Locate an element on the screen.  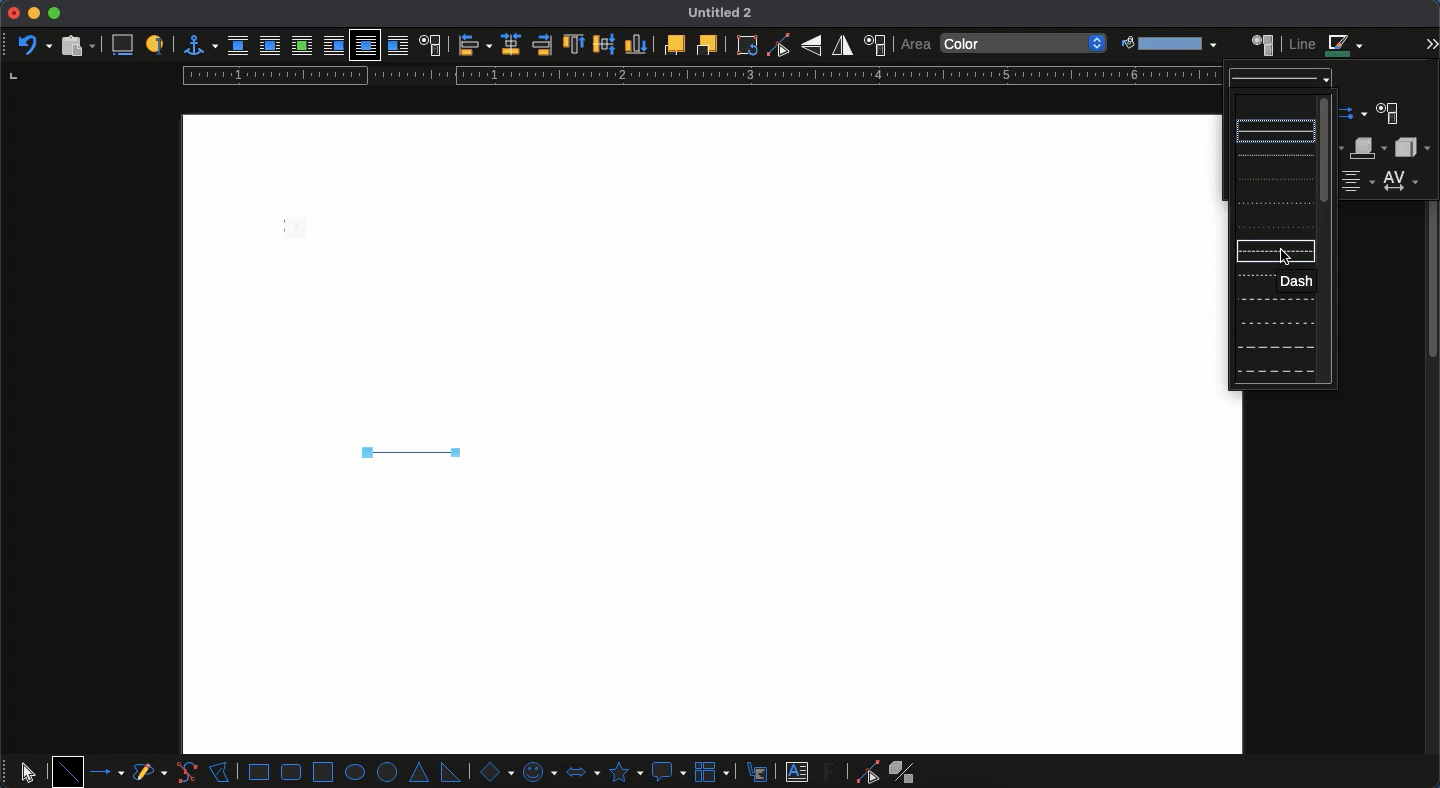
bottom is located at coordinates (637, 44).